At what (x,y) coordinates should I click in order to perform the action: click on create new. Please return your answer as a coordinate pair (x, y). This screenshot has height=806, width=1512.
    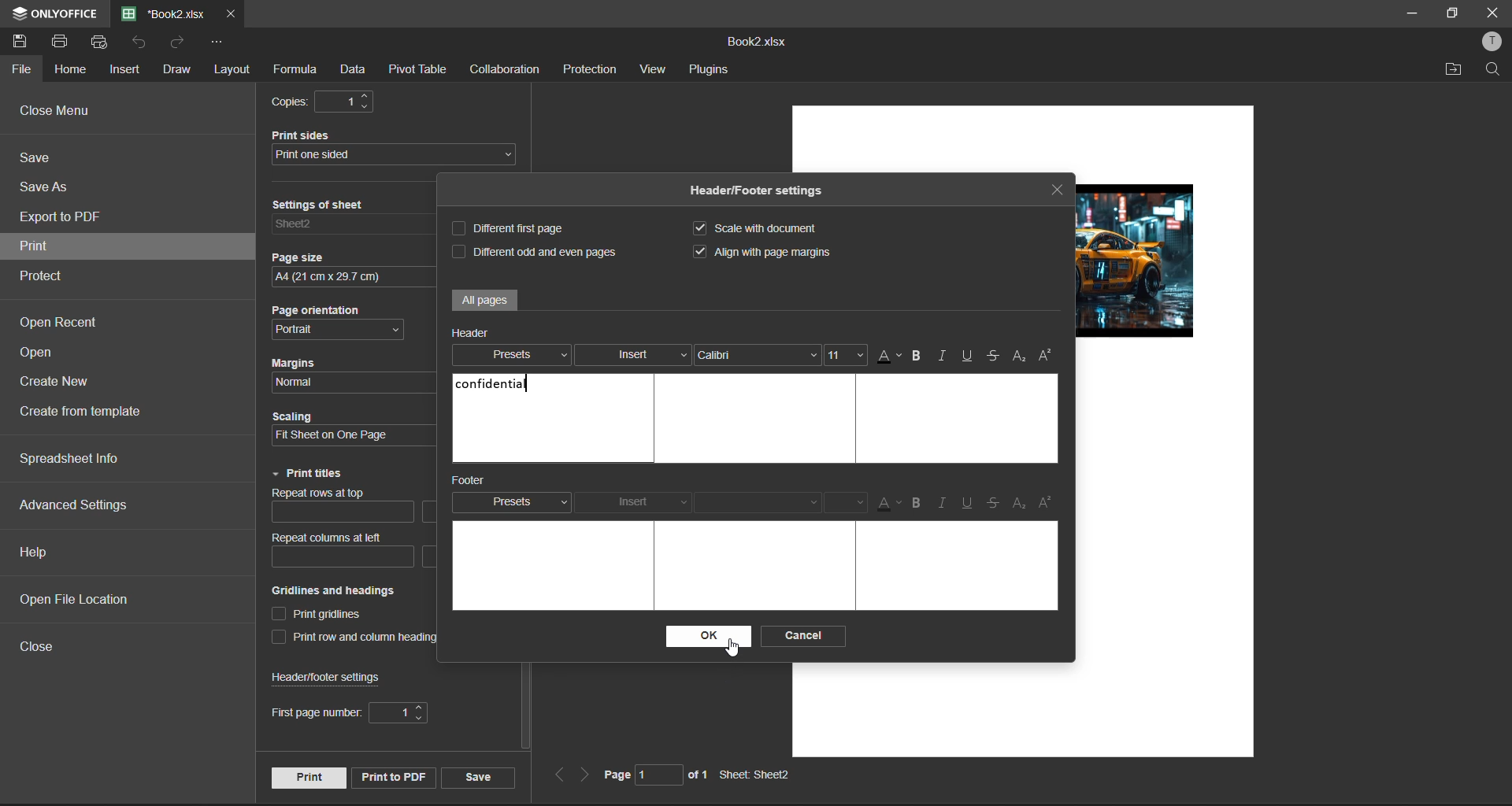
    Looking at the image, I should click on (56, 386).